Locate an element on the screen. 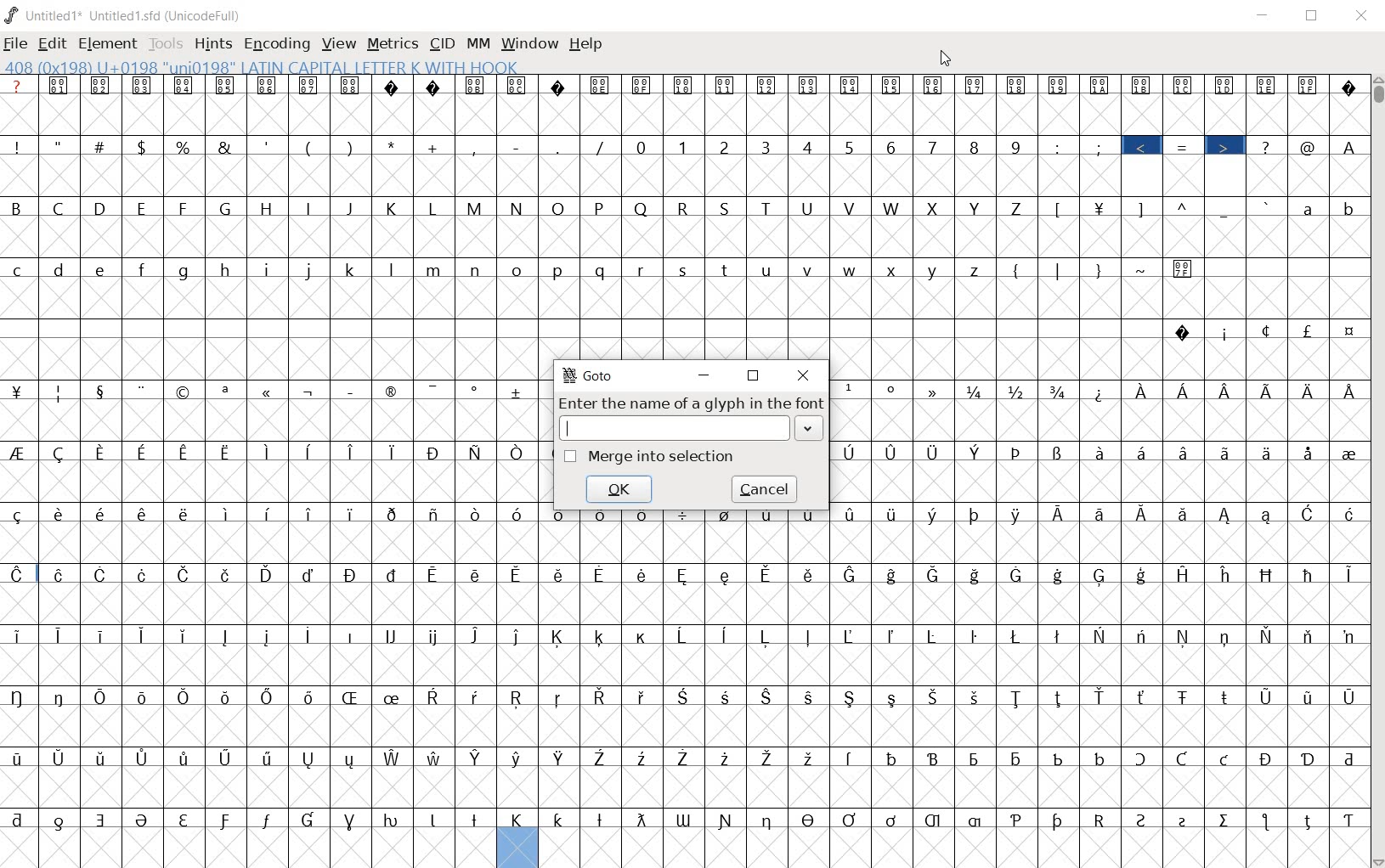 The width and height of the screenshot is (1385, 868). empty glyph slots is located at coordinates (687, 664).